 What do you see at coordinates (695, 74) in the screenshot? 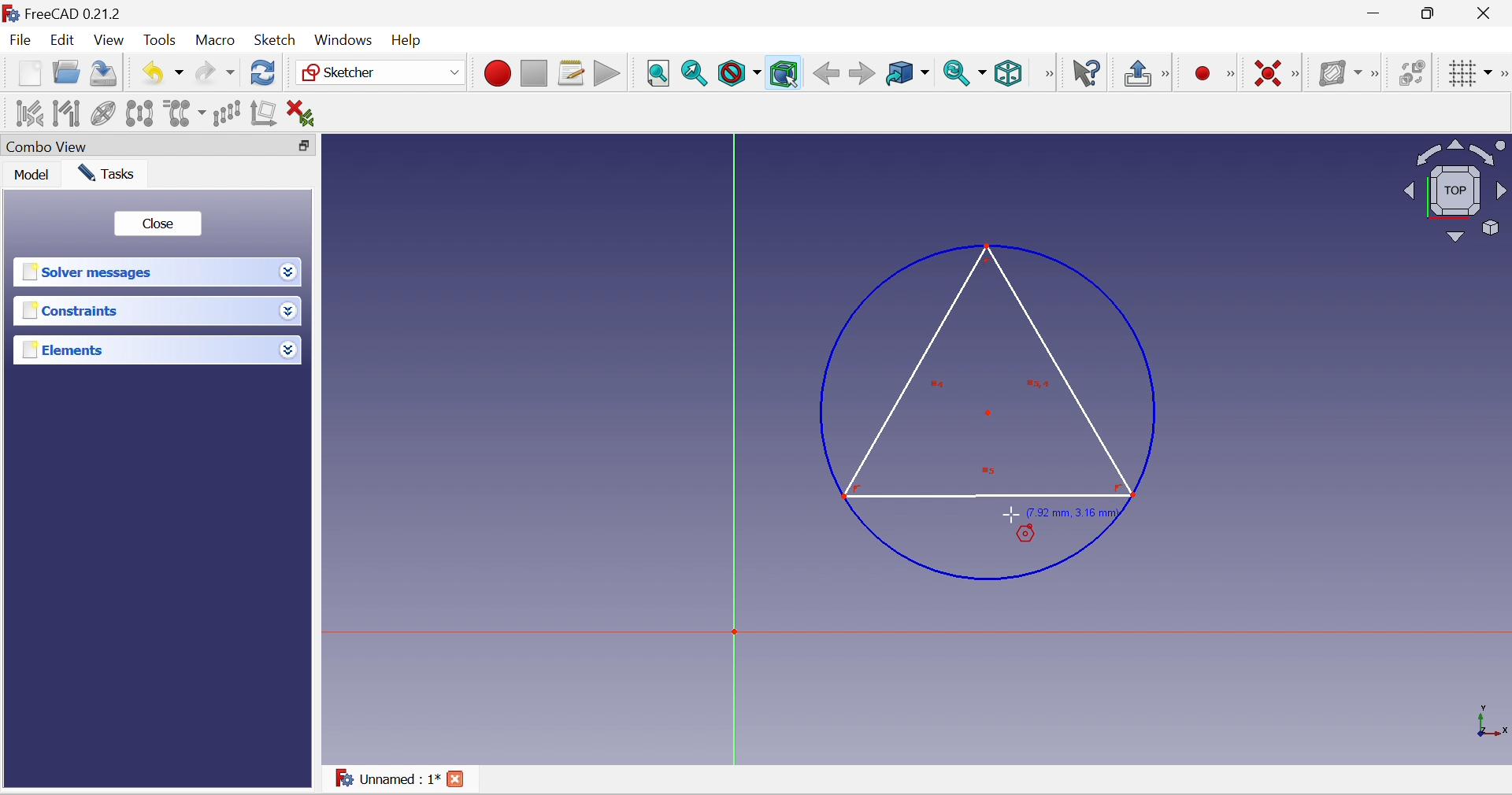
I see `Fit selection` at bounding box center [695, 74].